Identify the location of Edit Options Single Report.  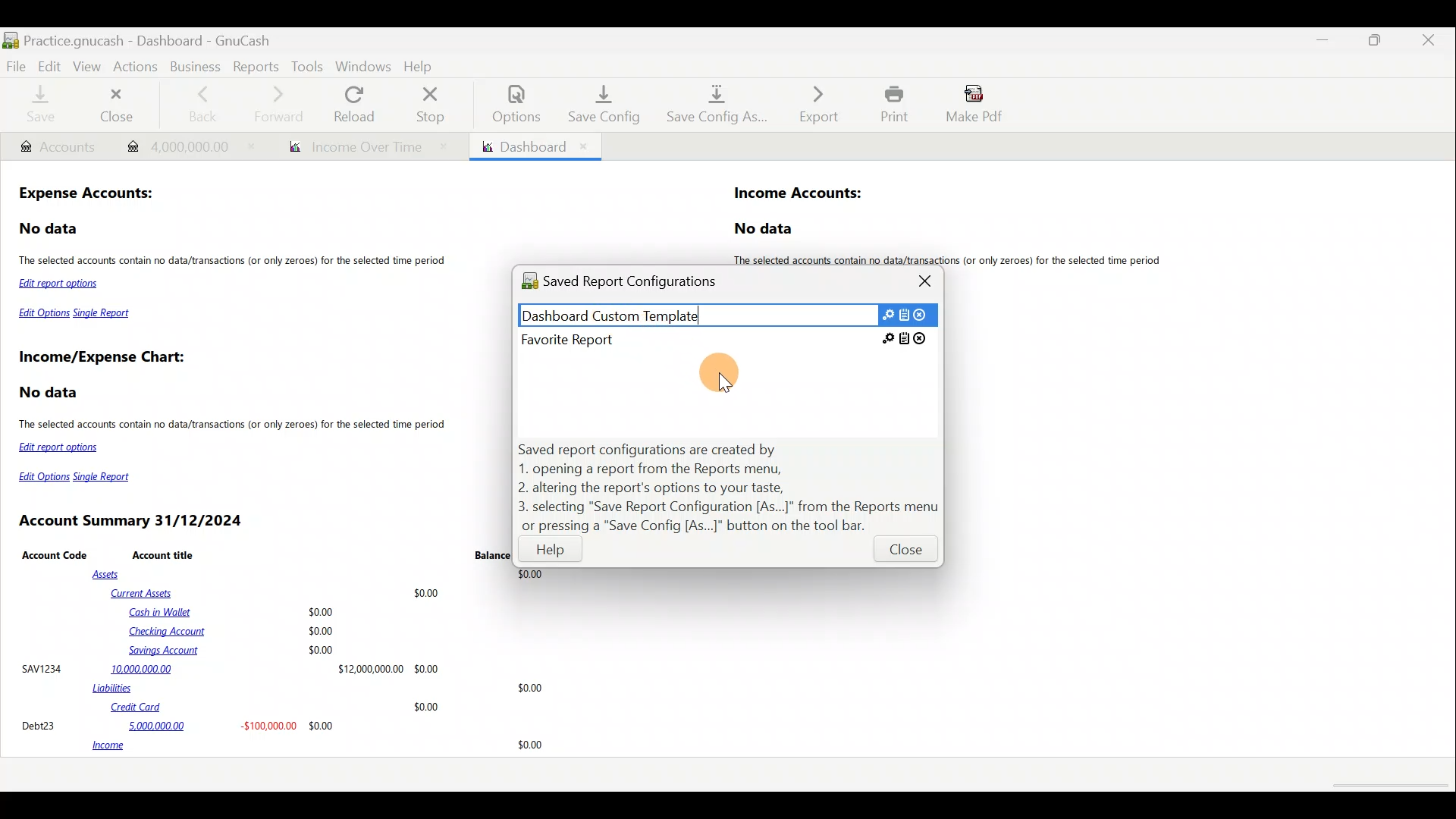
(80, 477).